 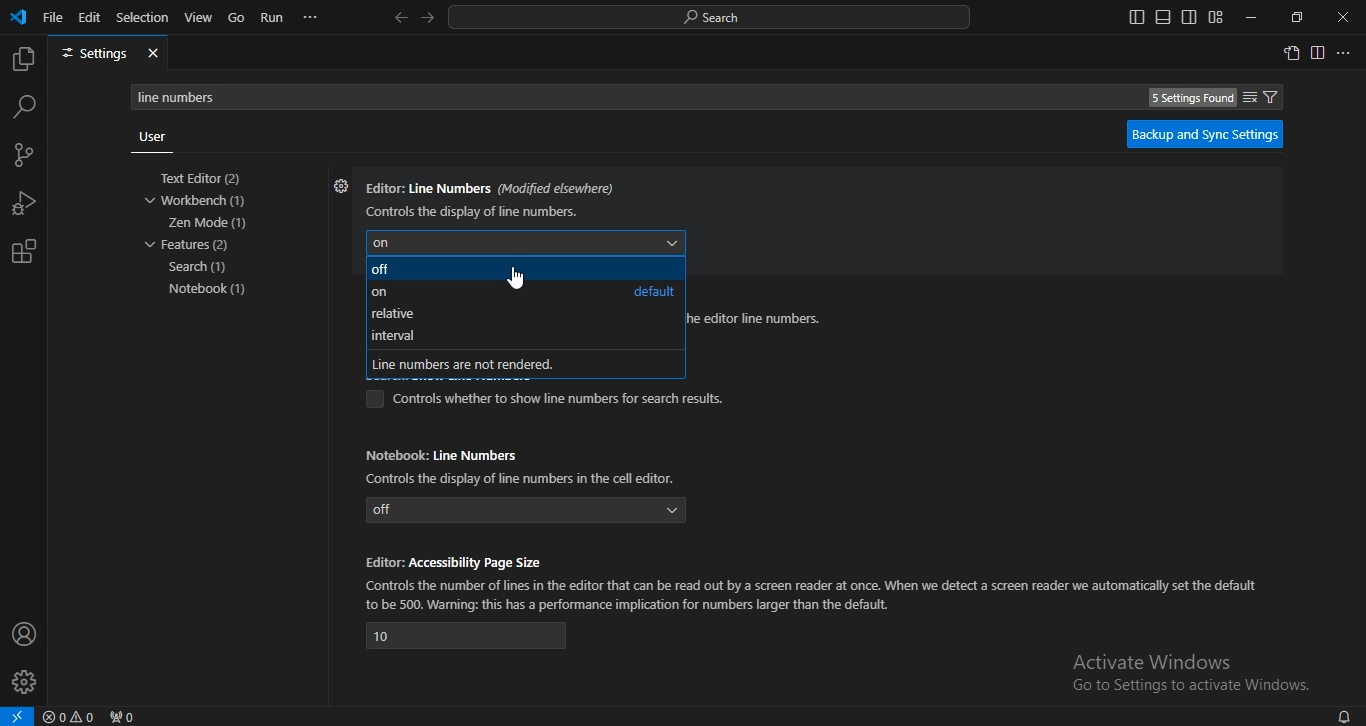 I want to click on workbench, so click(x=204, y=201).